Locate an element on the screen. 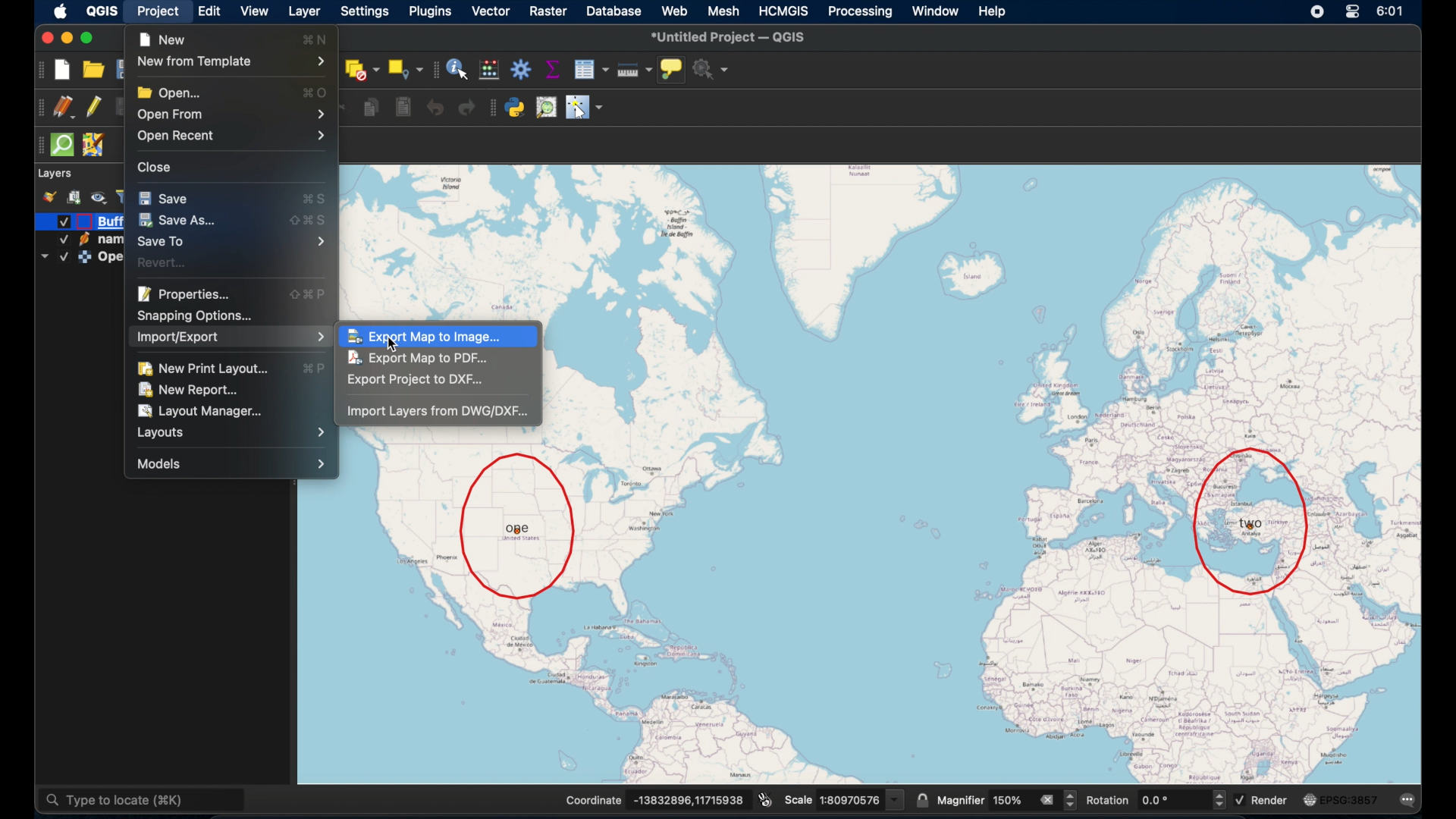 Image resolution: width=1456 pixels, height=819 pixels. identify features is located at coordinates (457, 69).